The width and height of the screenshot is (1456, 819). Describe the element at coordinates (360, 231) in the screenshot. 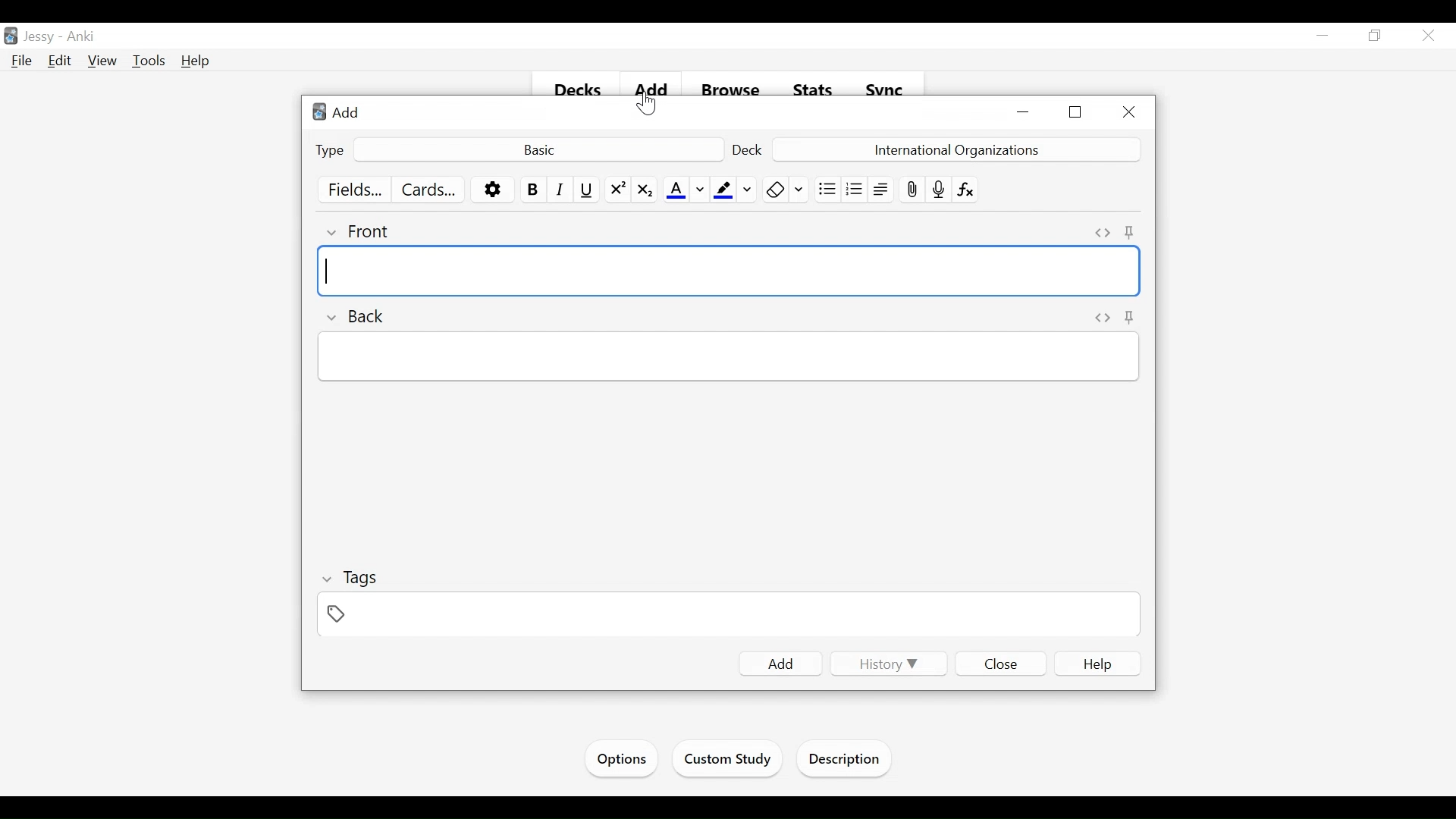

I see `Front` at that location.